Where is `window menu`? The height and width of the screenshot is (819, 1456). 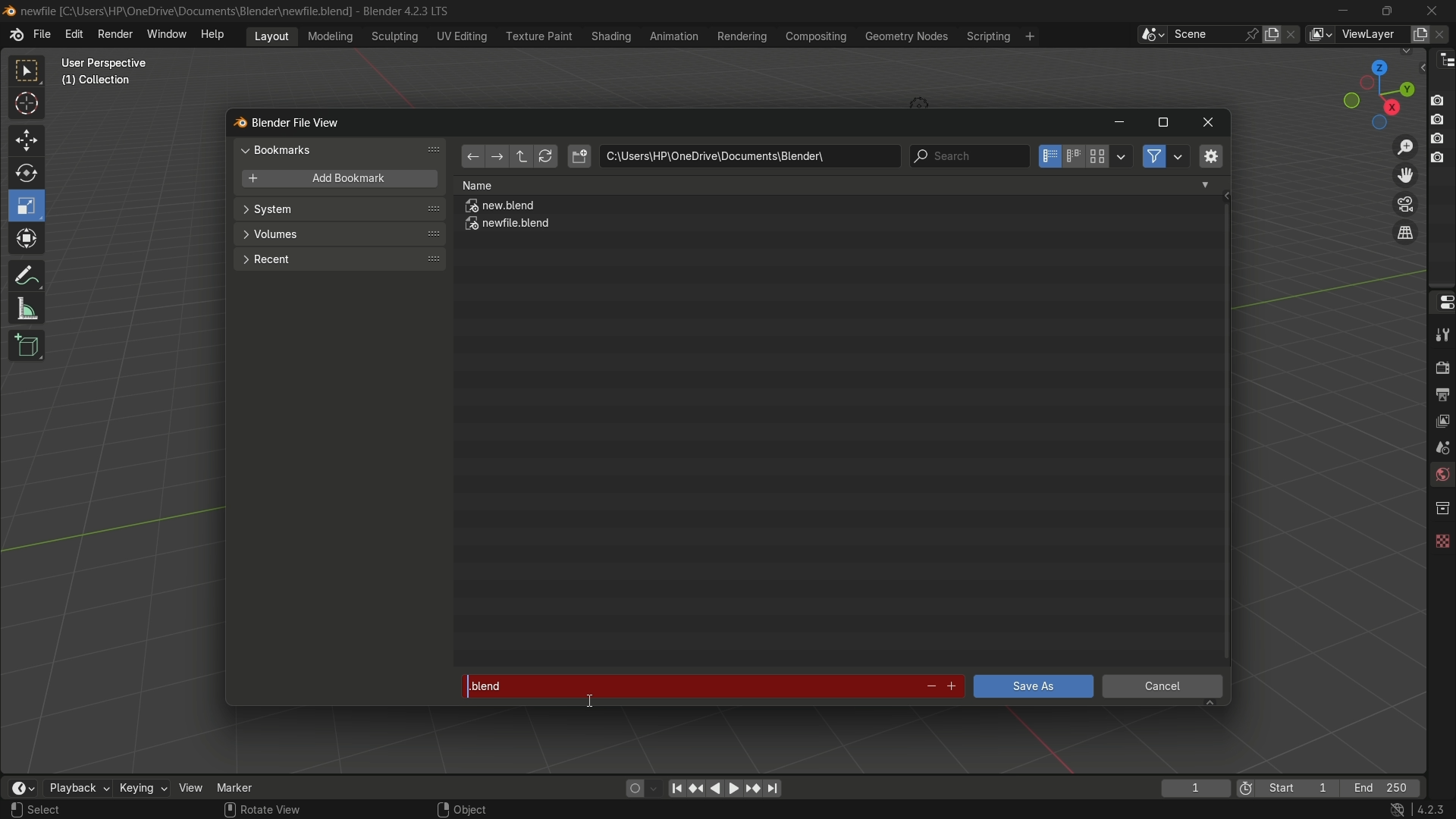 window menu is located at coordinates (168, 36).